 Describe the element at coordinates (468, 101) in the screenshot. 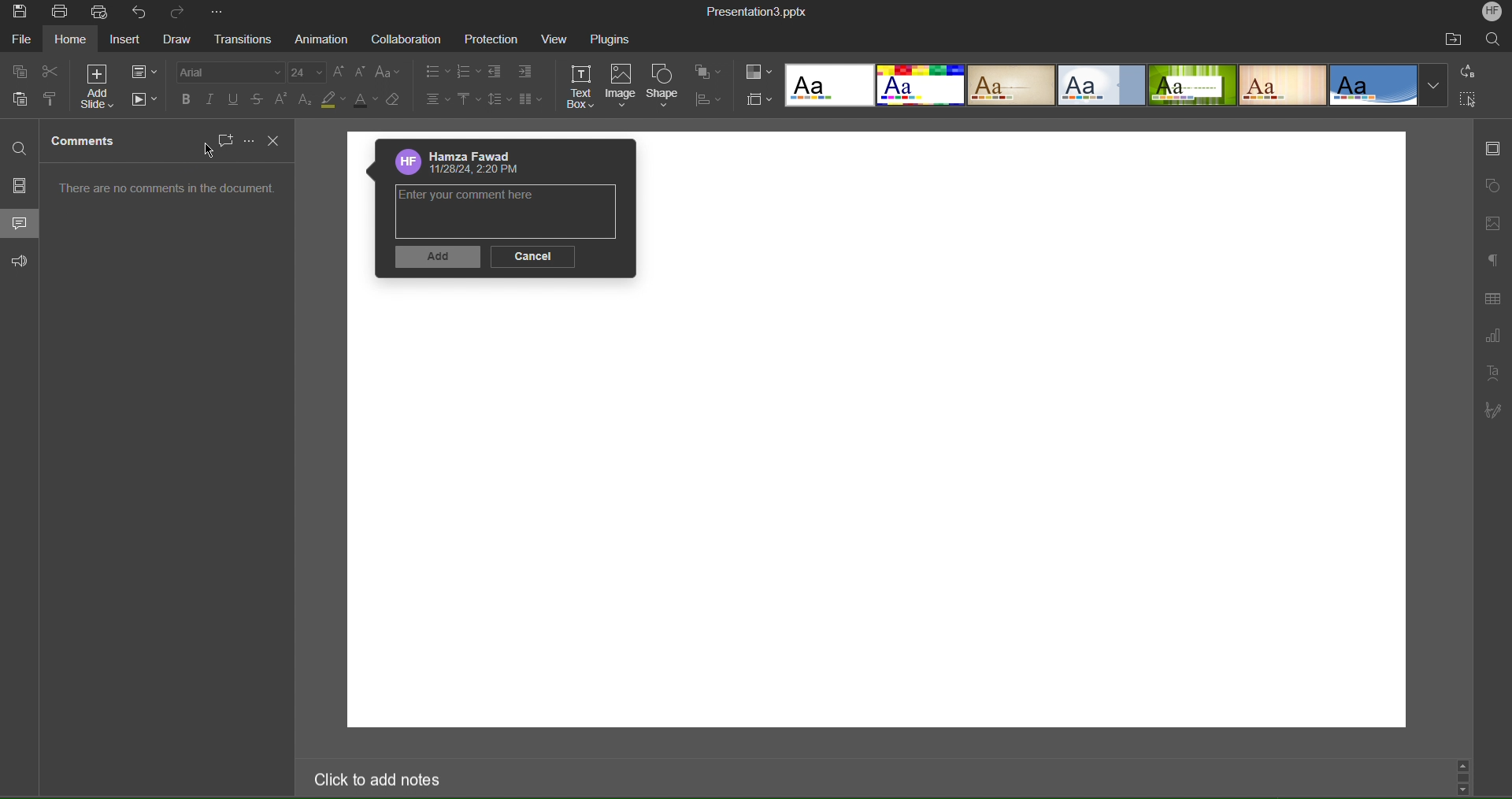

I see `Vertical Alignment` at that location.